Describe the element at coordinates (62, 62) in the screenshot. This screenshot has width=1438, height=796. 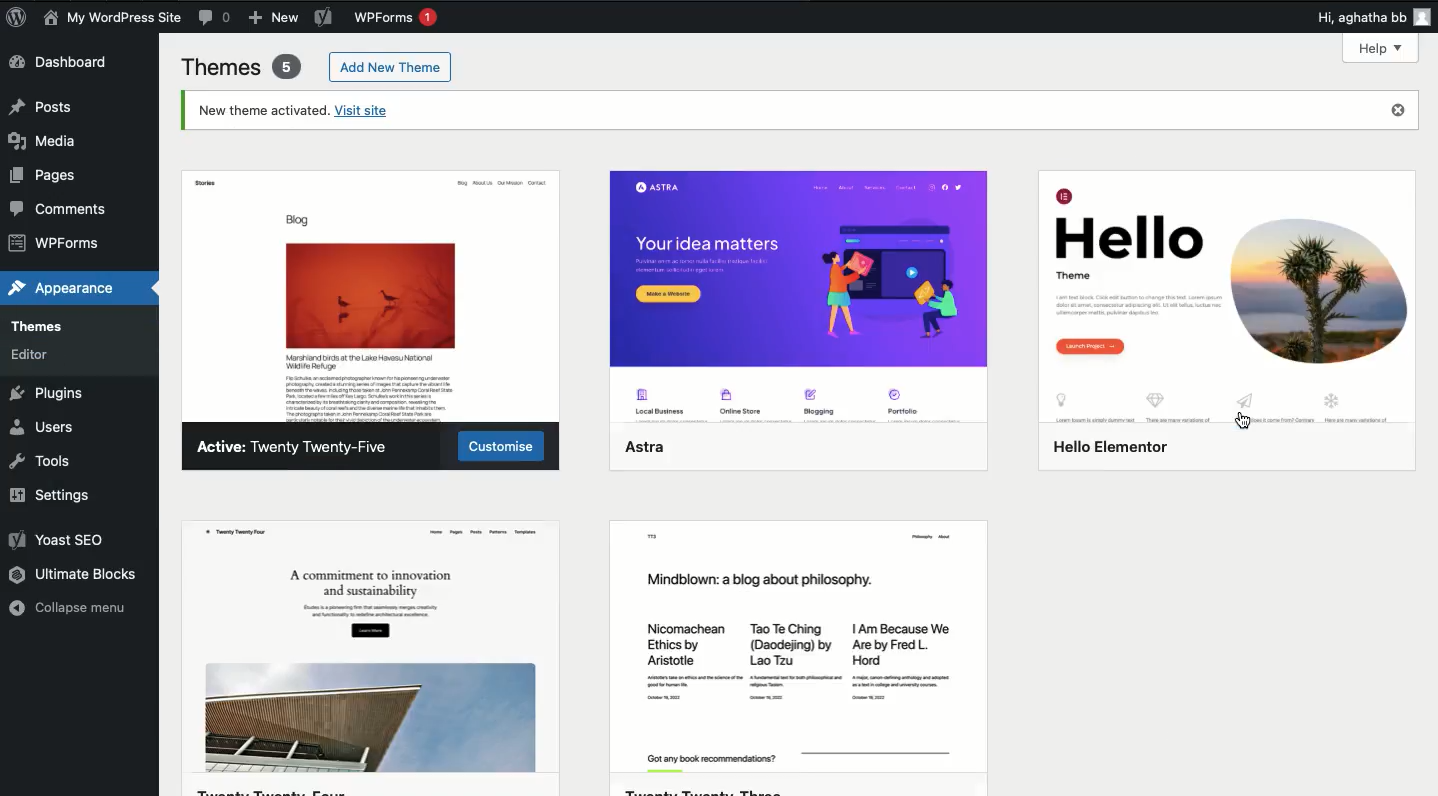
I see `Dashboard` at that location.